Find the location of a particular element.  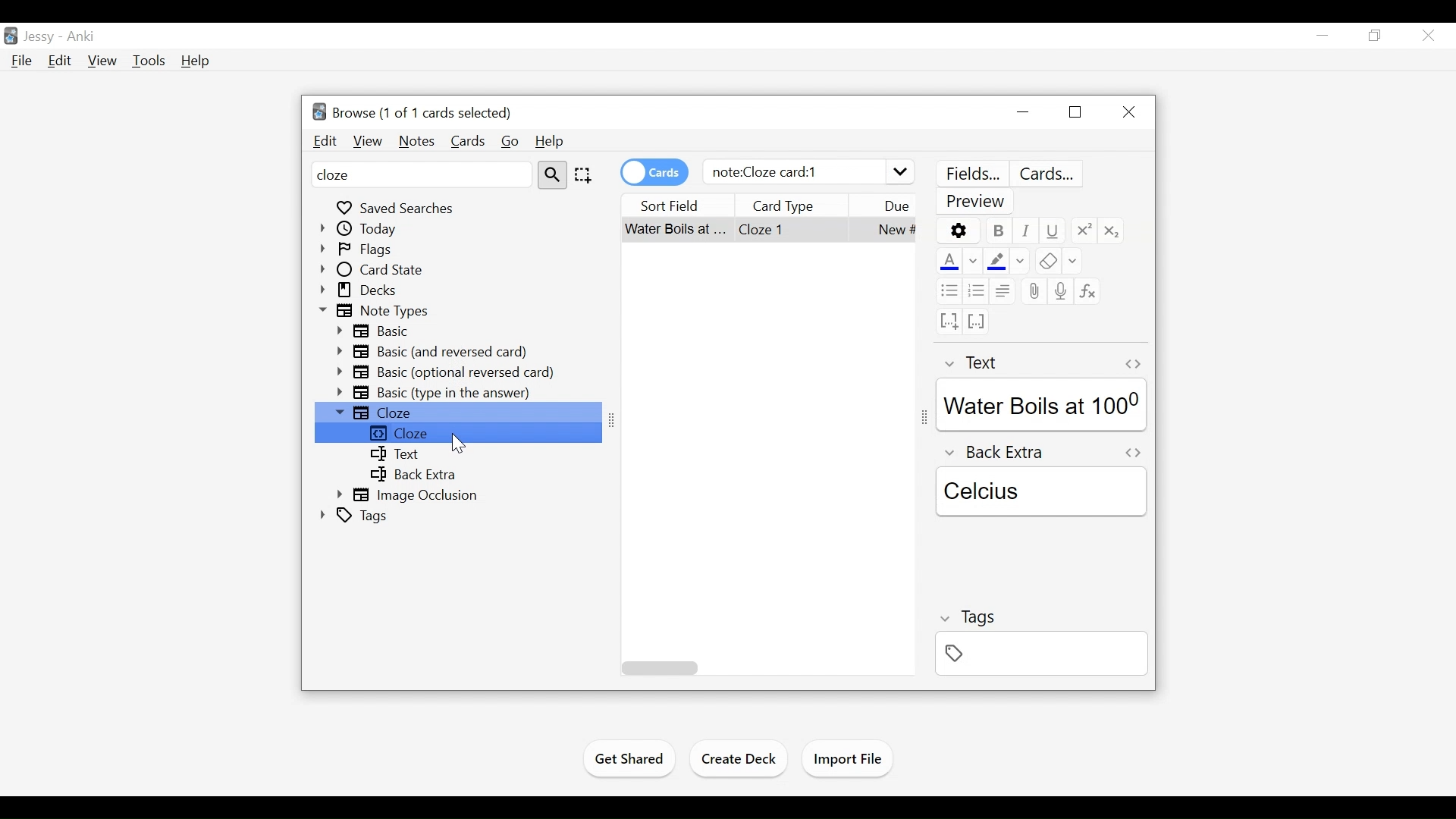

Equation is located at coordinates (1089, 290).